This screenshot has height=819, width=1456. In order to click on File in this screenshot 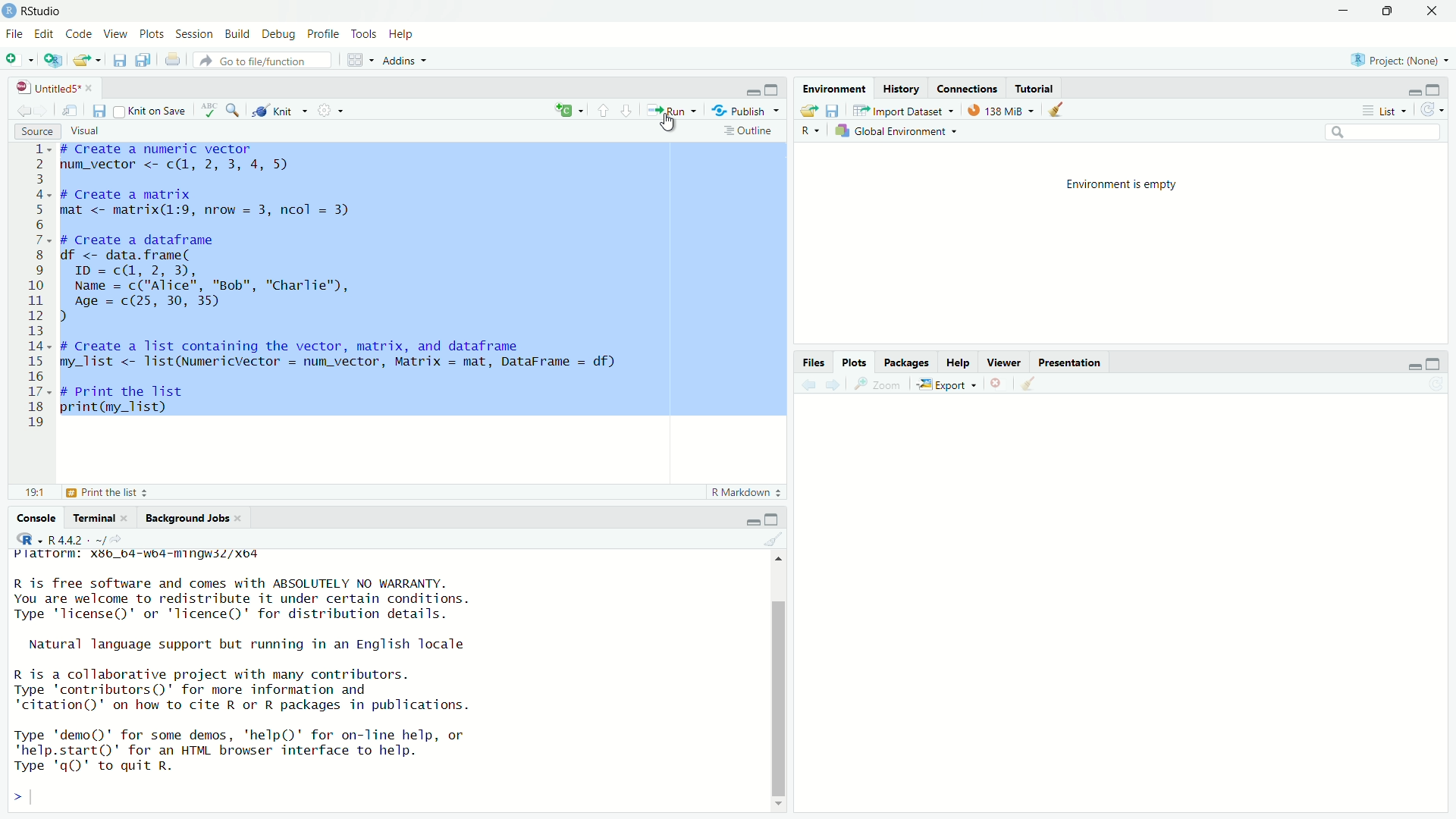, I will do `click(14, 33)`.